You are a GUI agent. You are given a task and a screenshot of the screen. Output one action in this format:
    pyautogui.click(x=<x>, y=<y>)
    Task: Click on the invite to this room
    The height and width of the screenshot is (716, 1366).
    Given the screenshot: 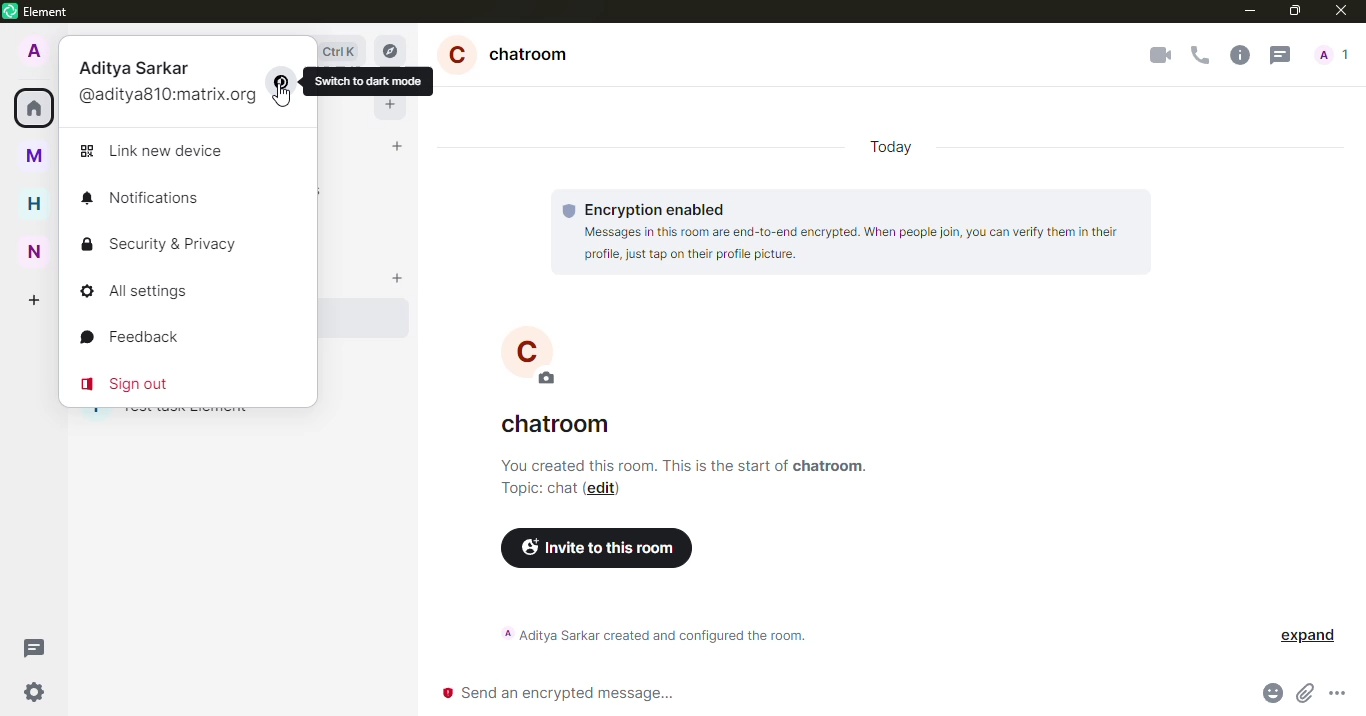 What is the action you would take?
    pyautogui.click(x=597, y=549)
    